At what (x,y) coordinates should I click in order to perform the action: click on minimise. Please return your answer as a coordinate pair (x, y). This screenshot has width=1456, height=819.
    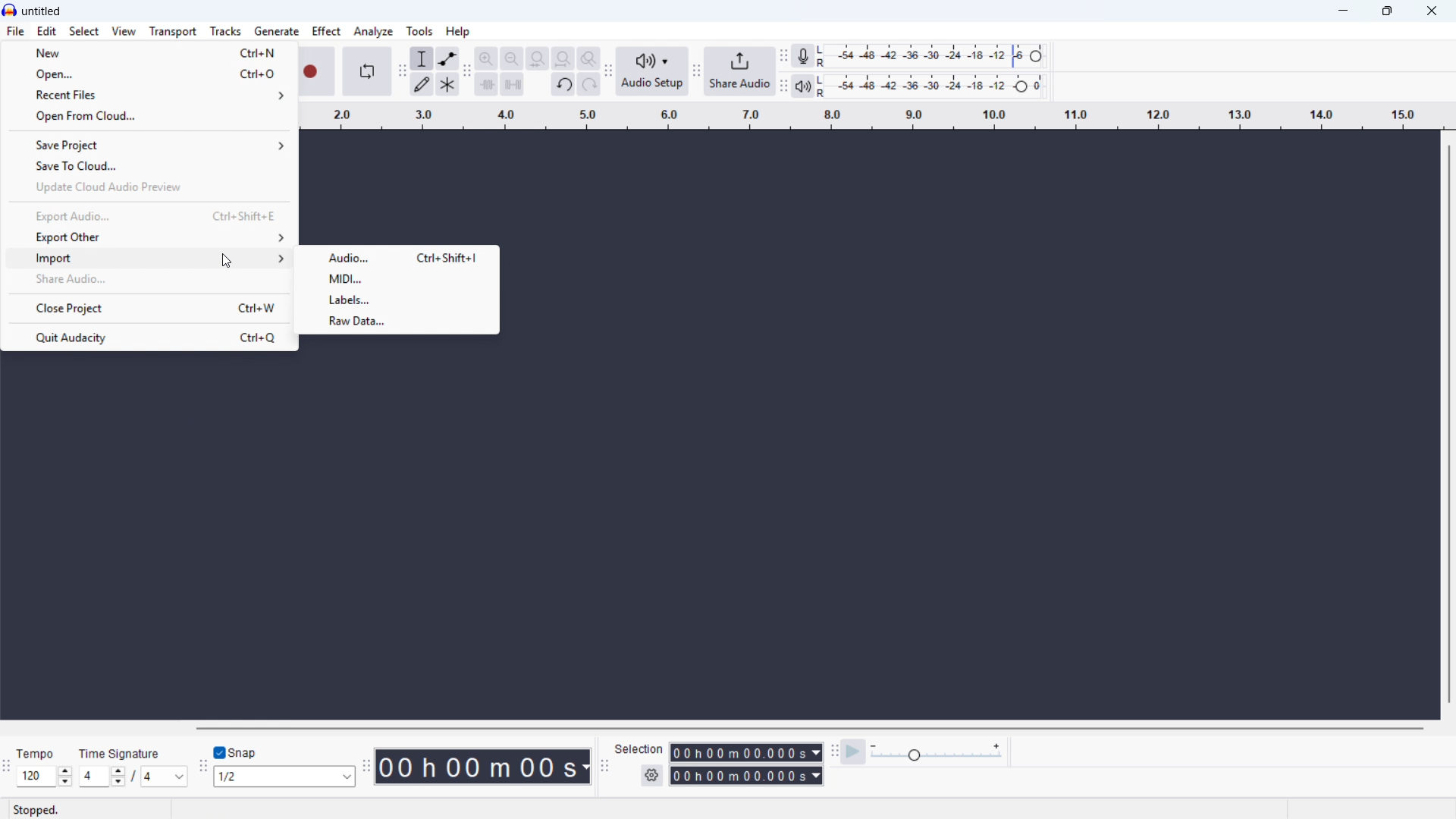
    Looking at the image, I should click on (1345, 11).